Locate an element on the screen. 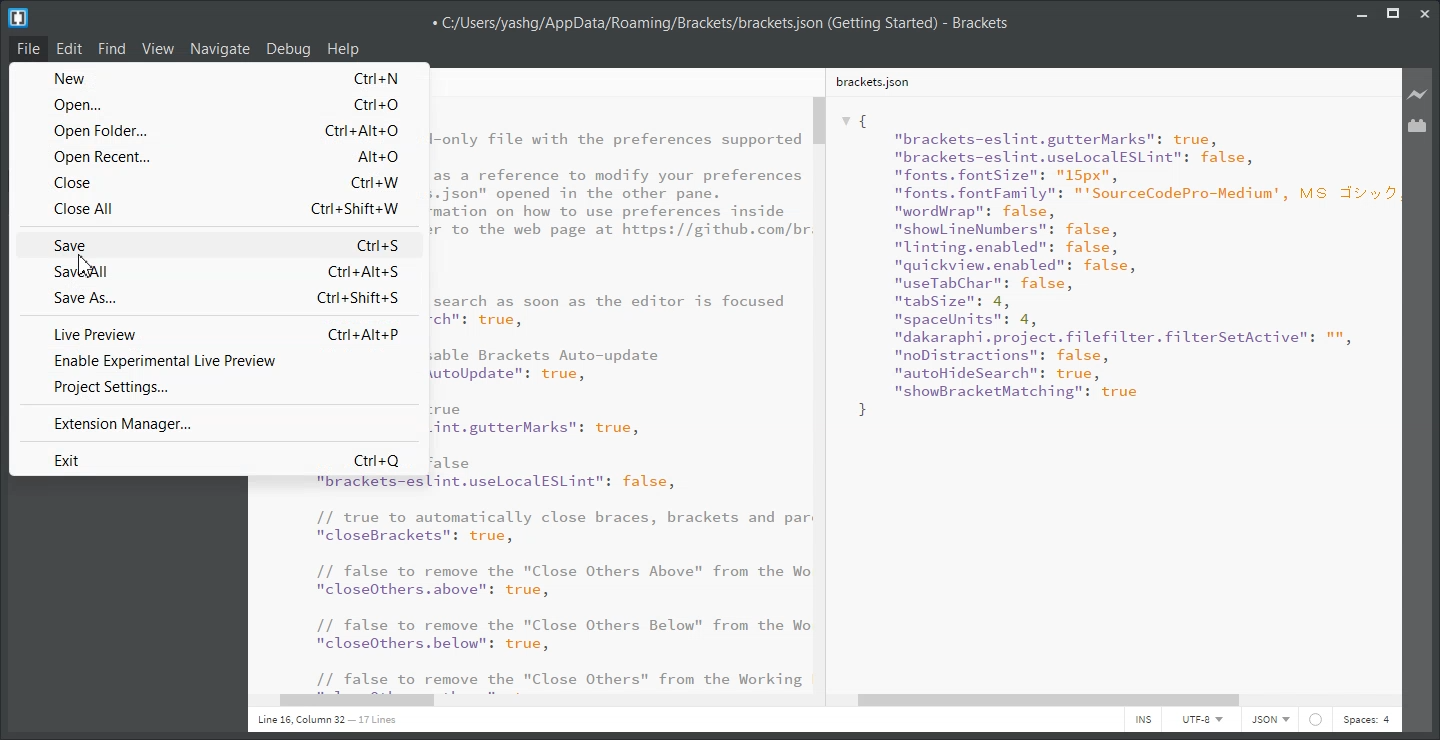 The height and width of the screenshot is (740, 1440). Enable Experimental Live Preview is located at coordinates (222, 362).